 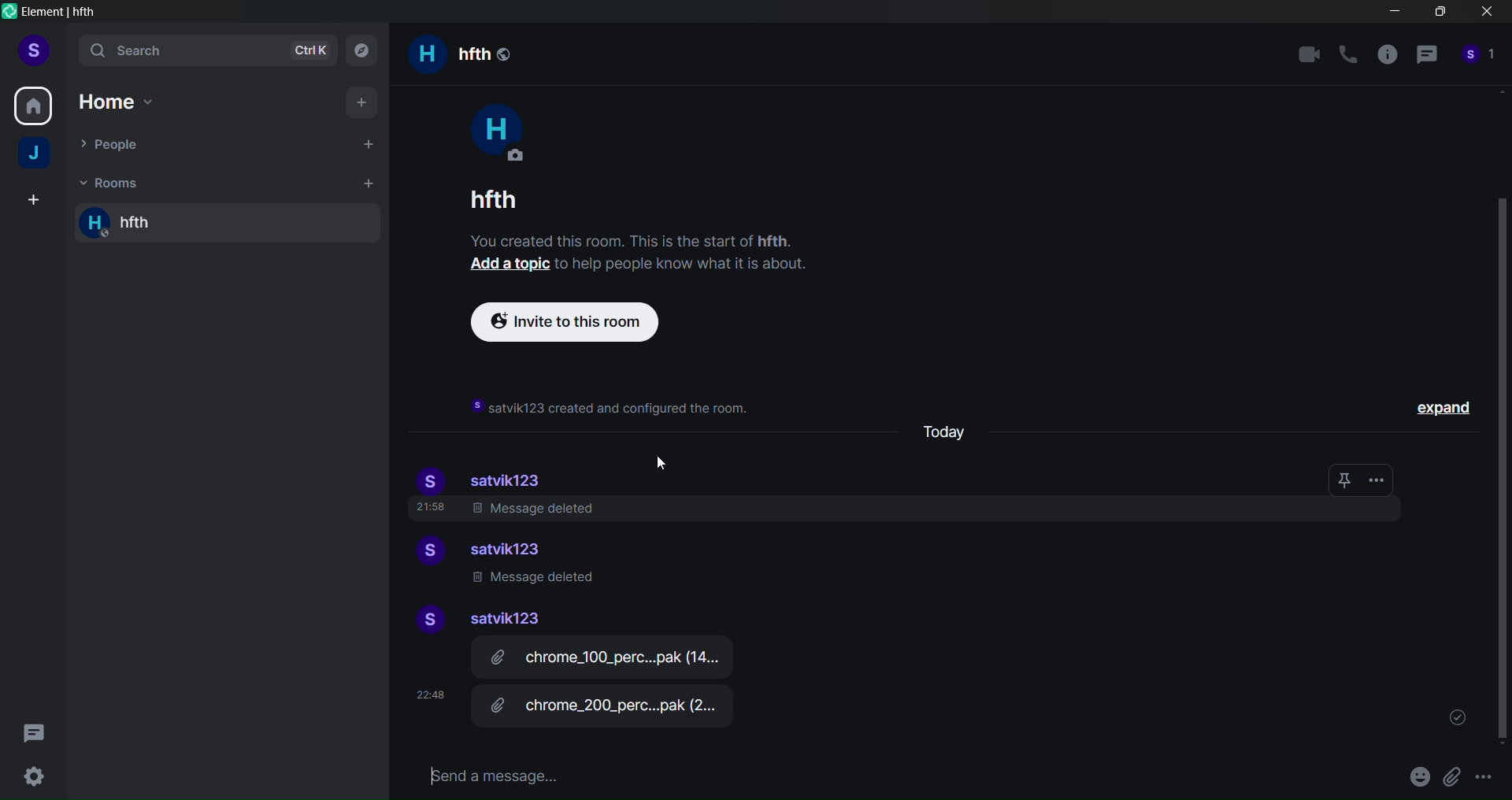 I want to click on room name, so click(x=142, y=224).